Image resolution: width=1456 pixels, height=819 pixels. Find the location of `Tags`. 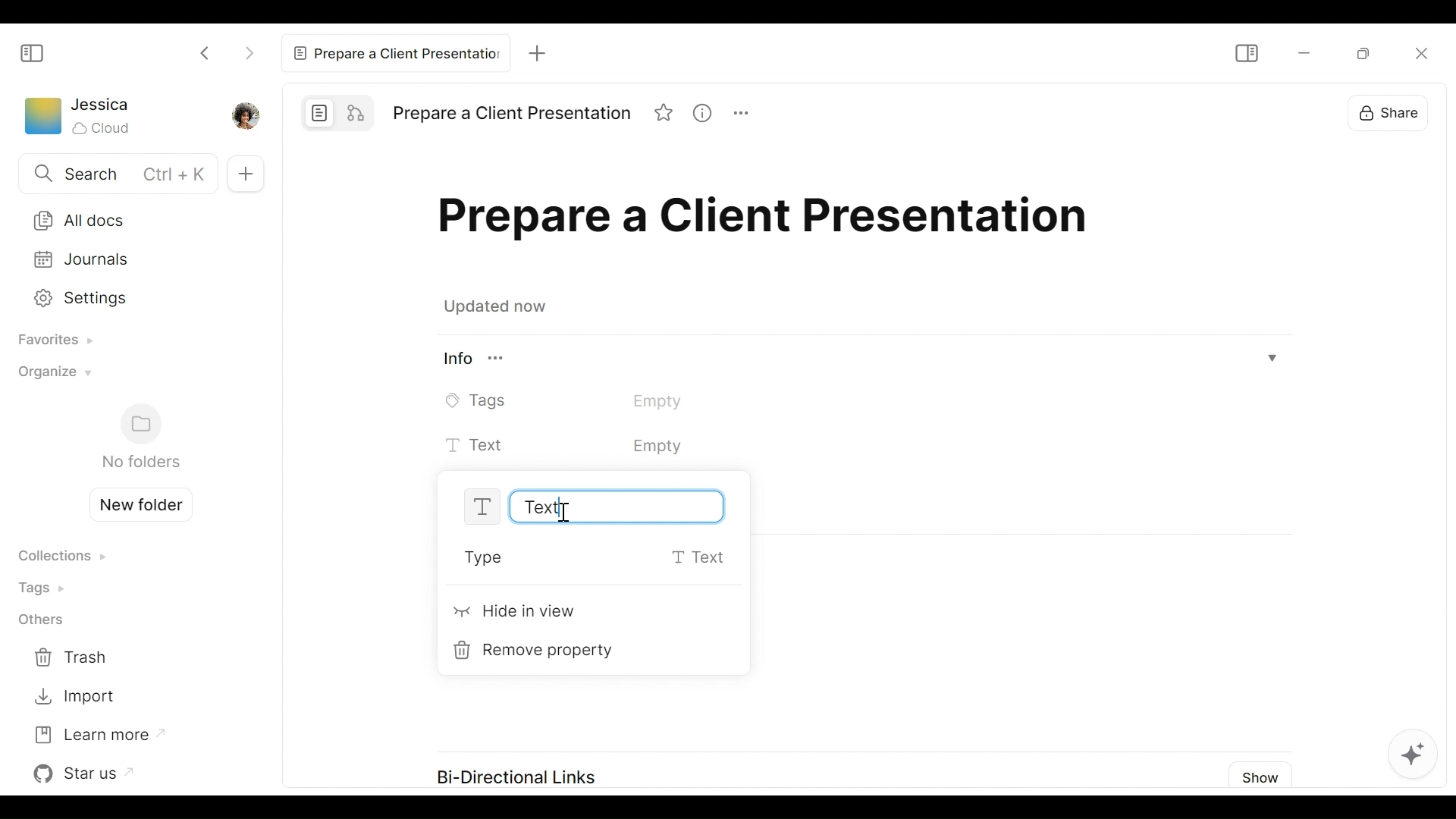

Tags is located at coordinates (585, 400).